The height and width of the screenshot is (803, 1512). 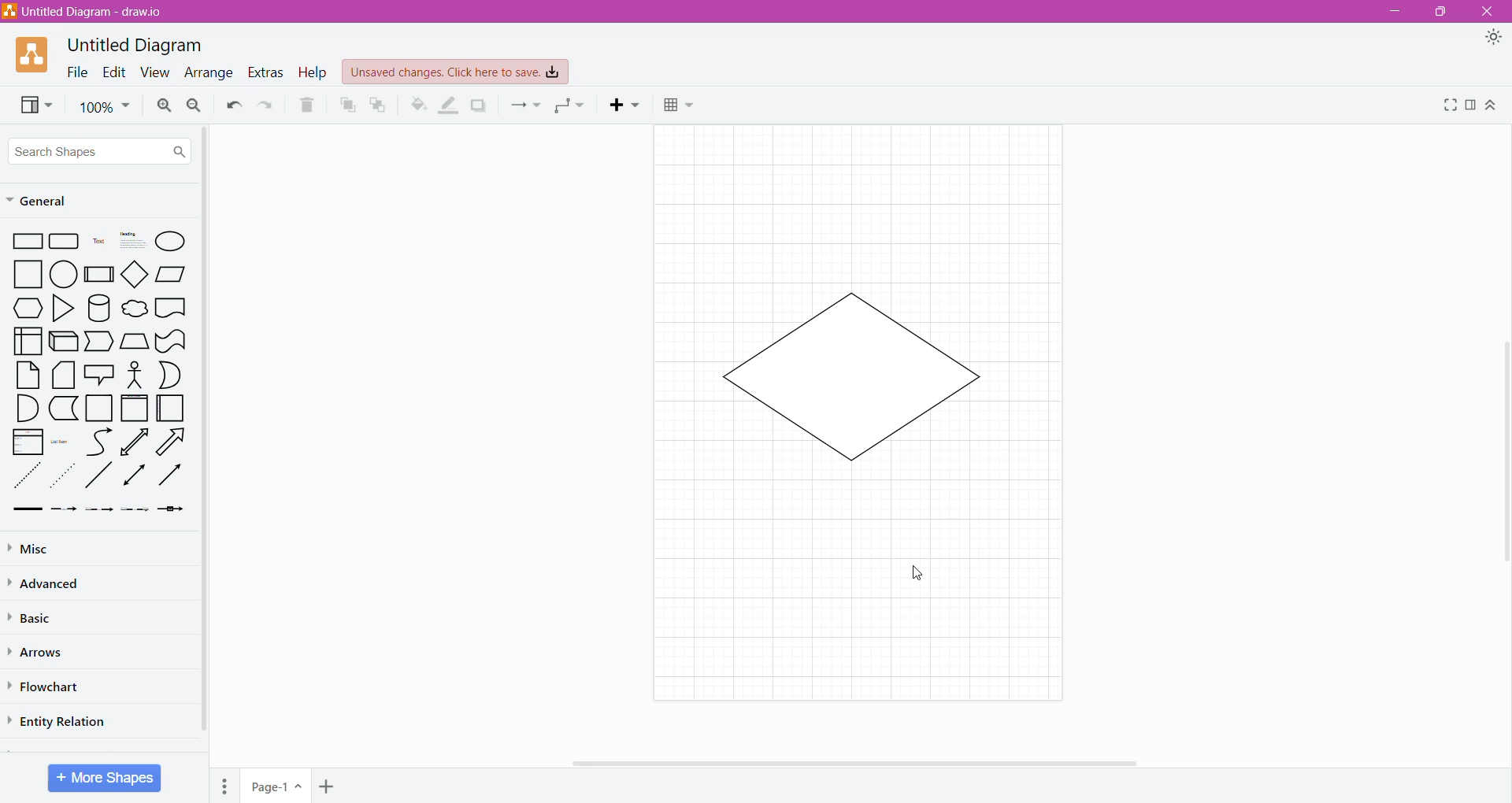 I want to click on Flowchart, so click(x=50, y=687).